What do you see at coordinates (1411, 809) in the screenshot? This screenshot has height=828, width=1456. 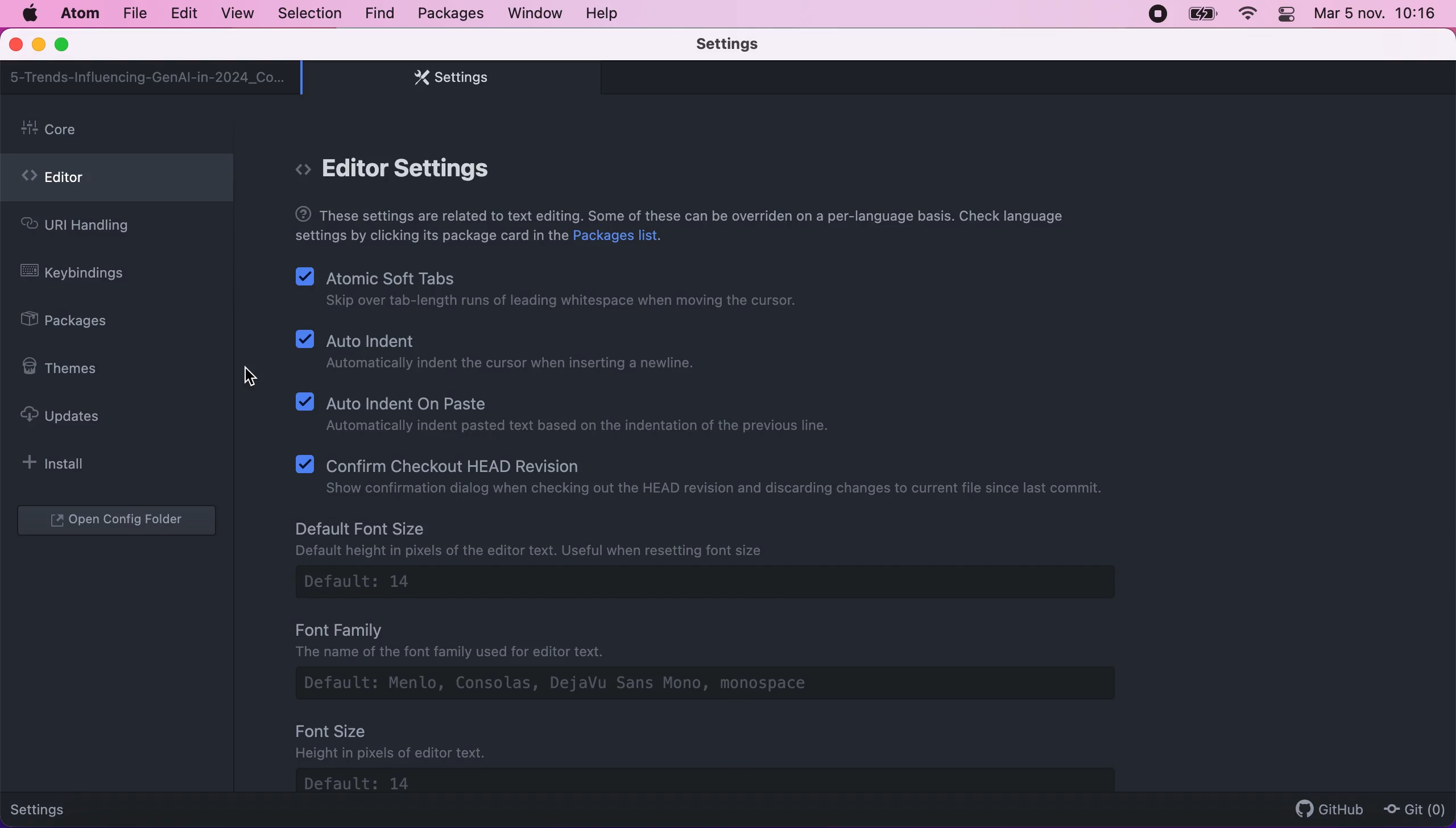 I see `Git (0)` at bounding box center [1411, 809].